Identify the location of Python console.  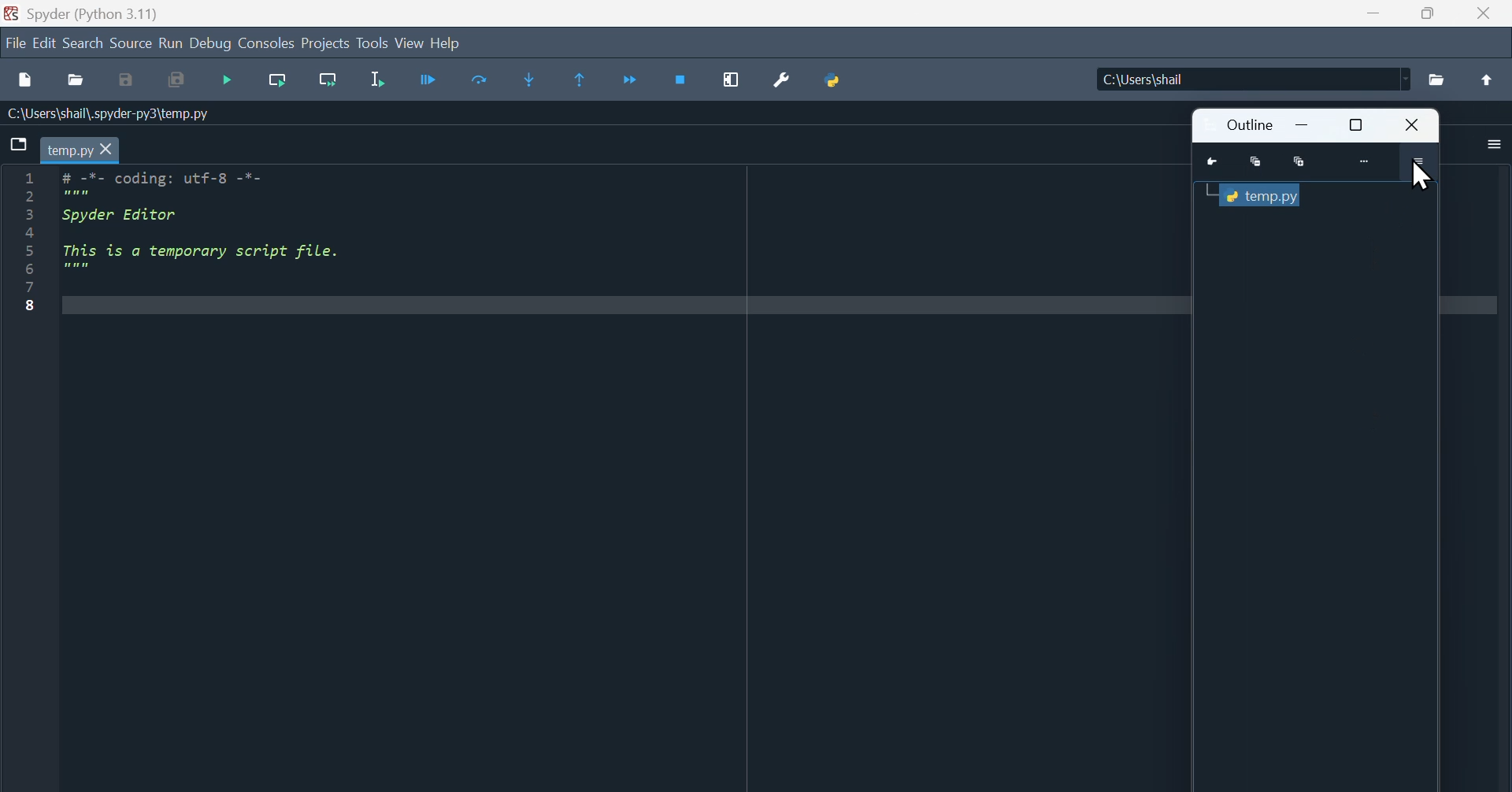
(1263, 194).